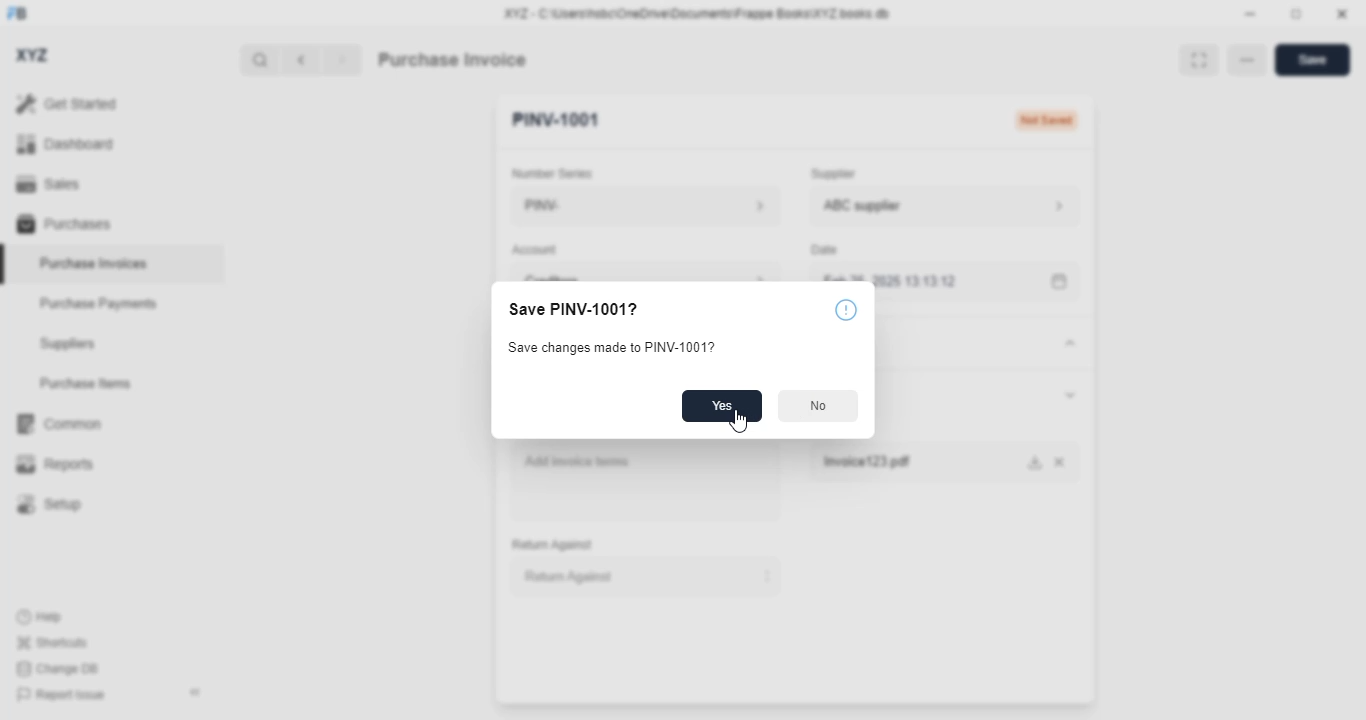 The width and height of the screenshot is (1366, 720). Describe the element at coordinates (451, 59) in the screenshot. I see `purchase invoice` at that location.